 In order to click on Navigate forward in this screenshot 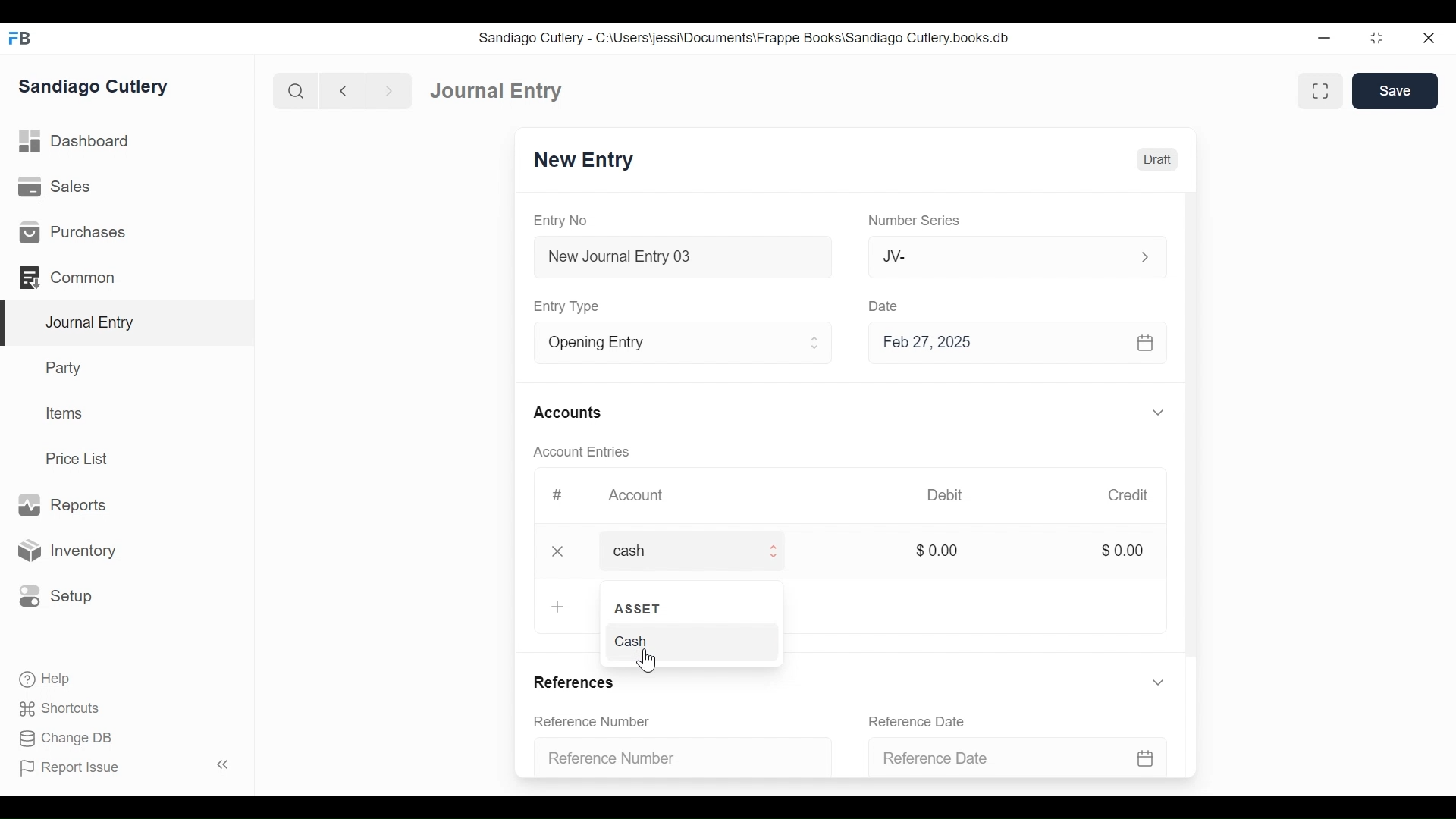, I will do `click(388, 91)`.